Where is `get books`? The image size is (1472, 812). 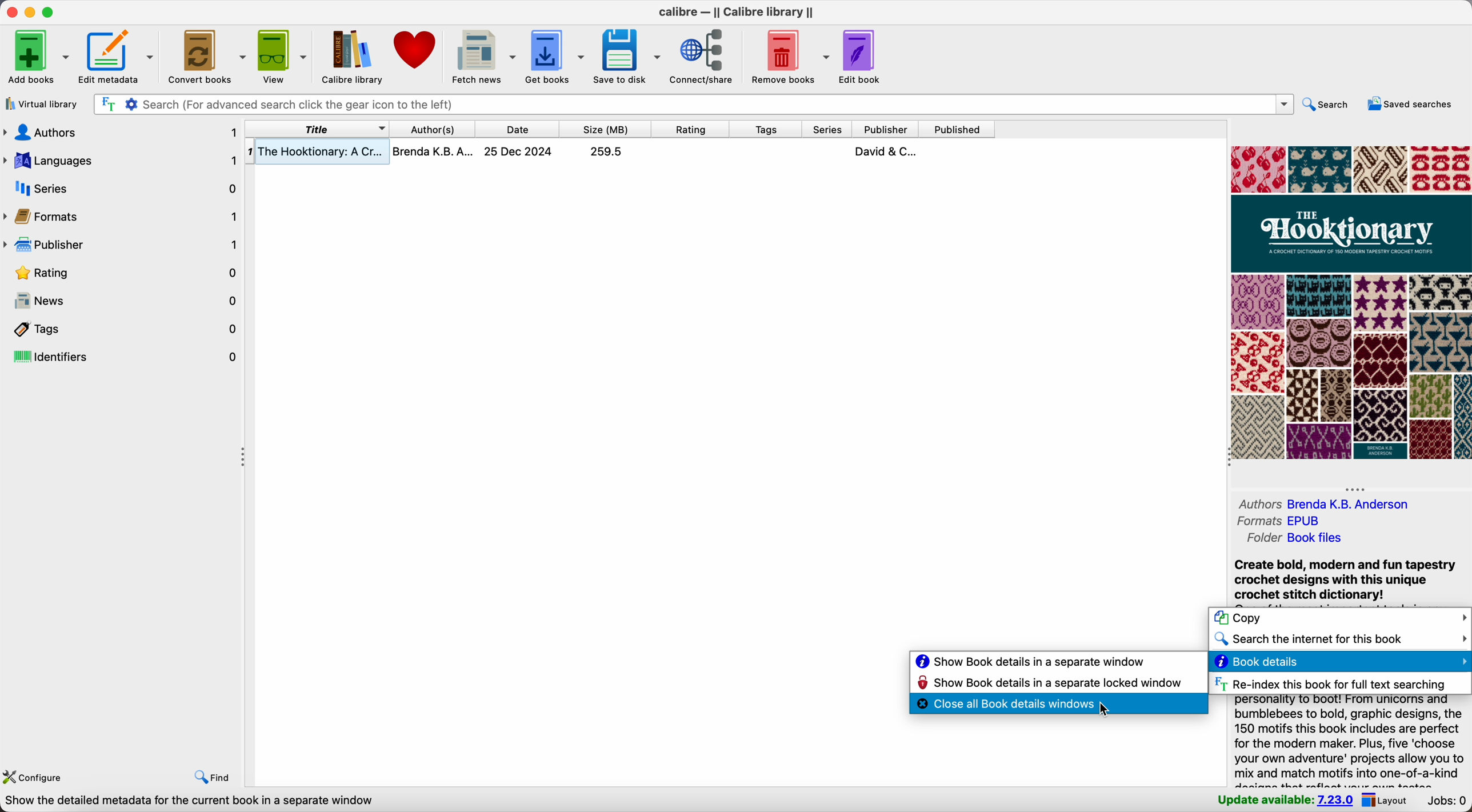
get books is located at coordinates (556, 54).